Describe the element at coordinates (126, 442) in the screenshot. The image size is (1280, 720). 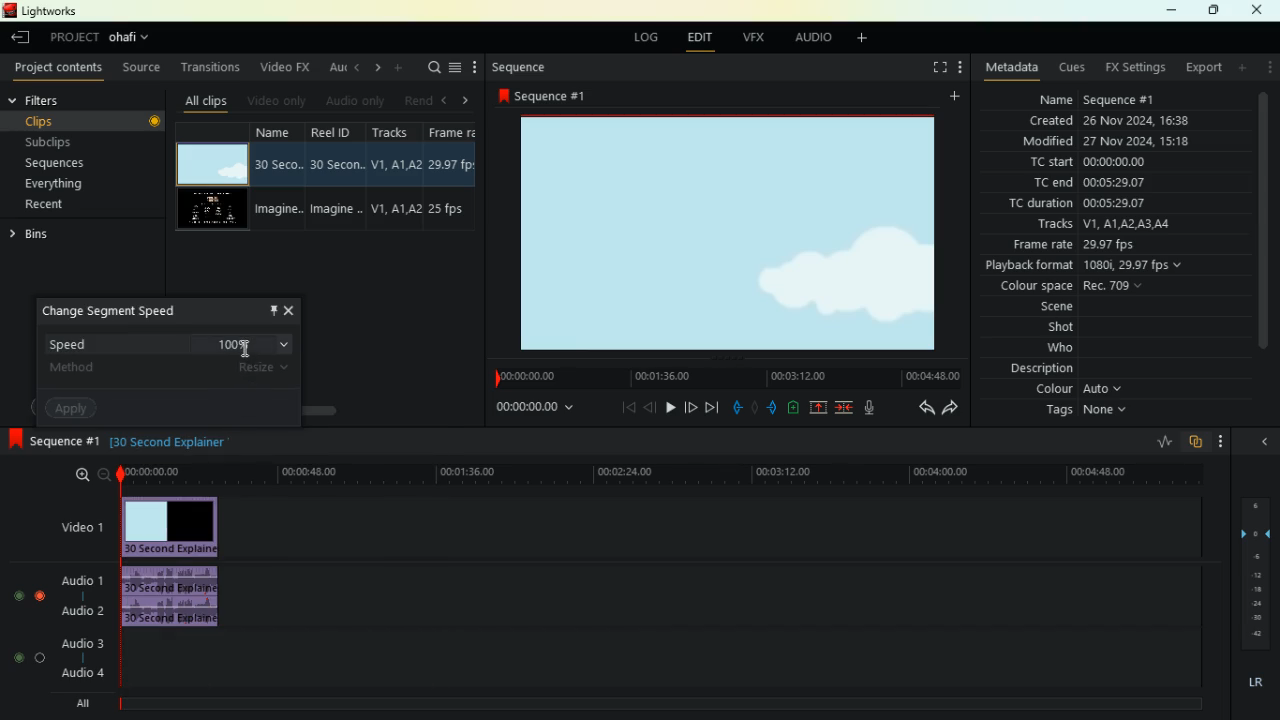
I see `black` at that location.